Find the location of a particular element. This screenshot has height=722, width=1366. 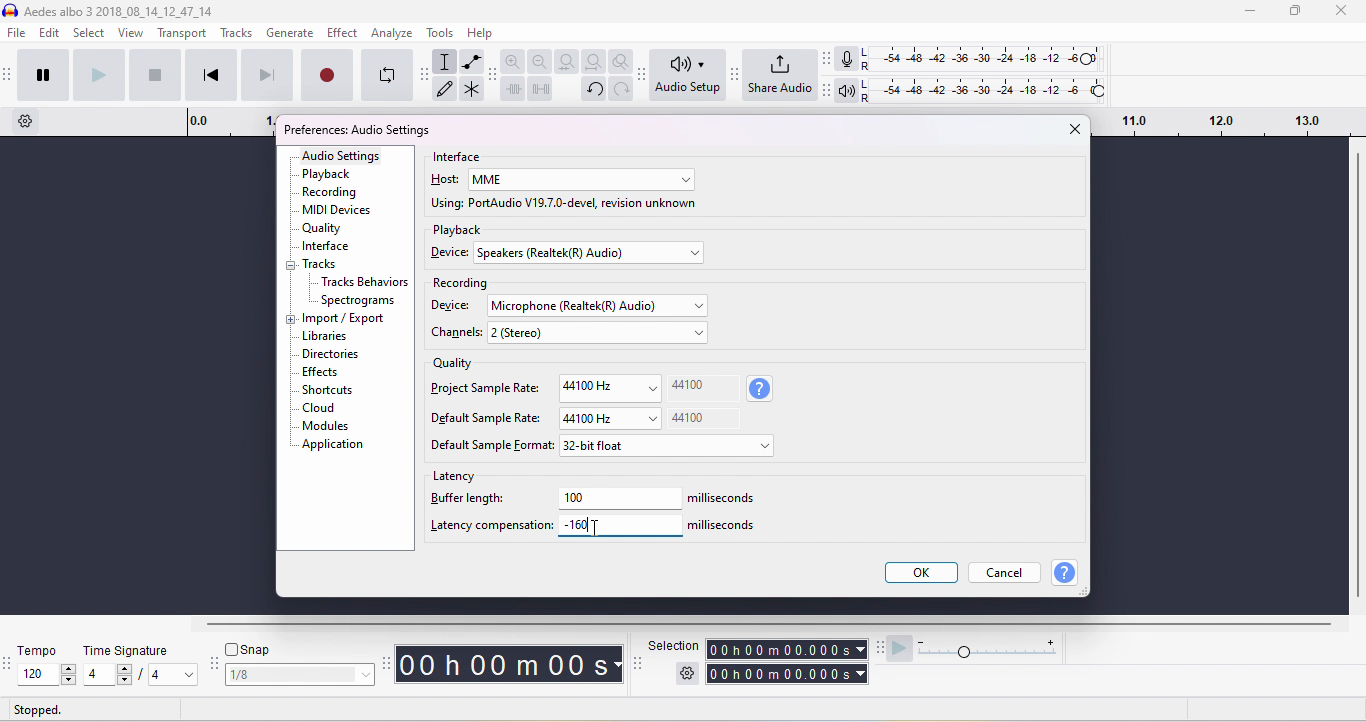

select snapping is located at coordinates (301, 675).